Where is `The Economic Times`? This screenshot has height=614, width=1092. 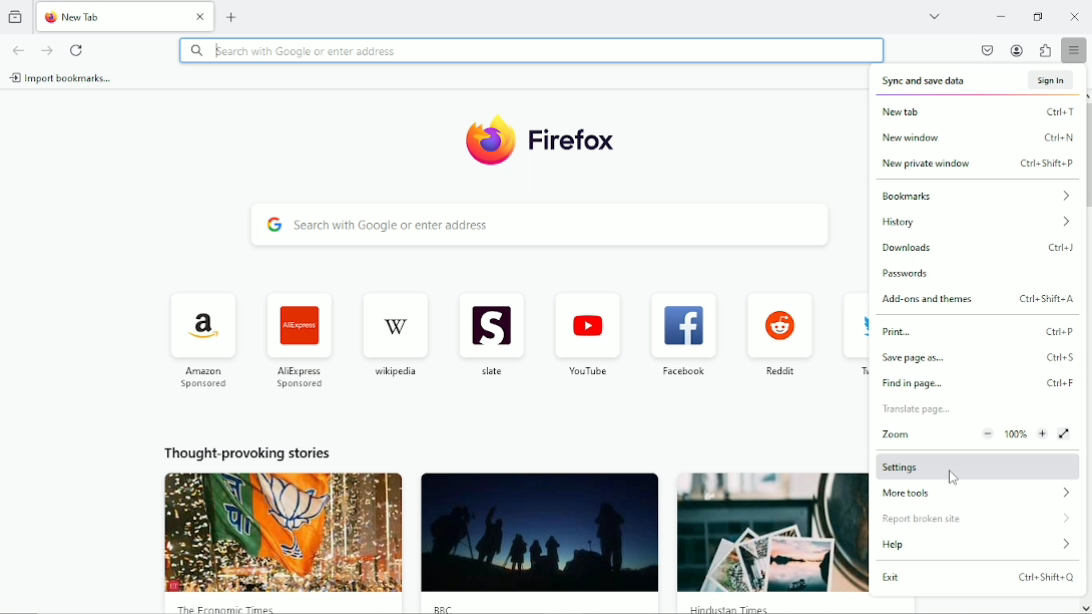 The Economic Times is located at coordinates (232, 608).